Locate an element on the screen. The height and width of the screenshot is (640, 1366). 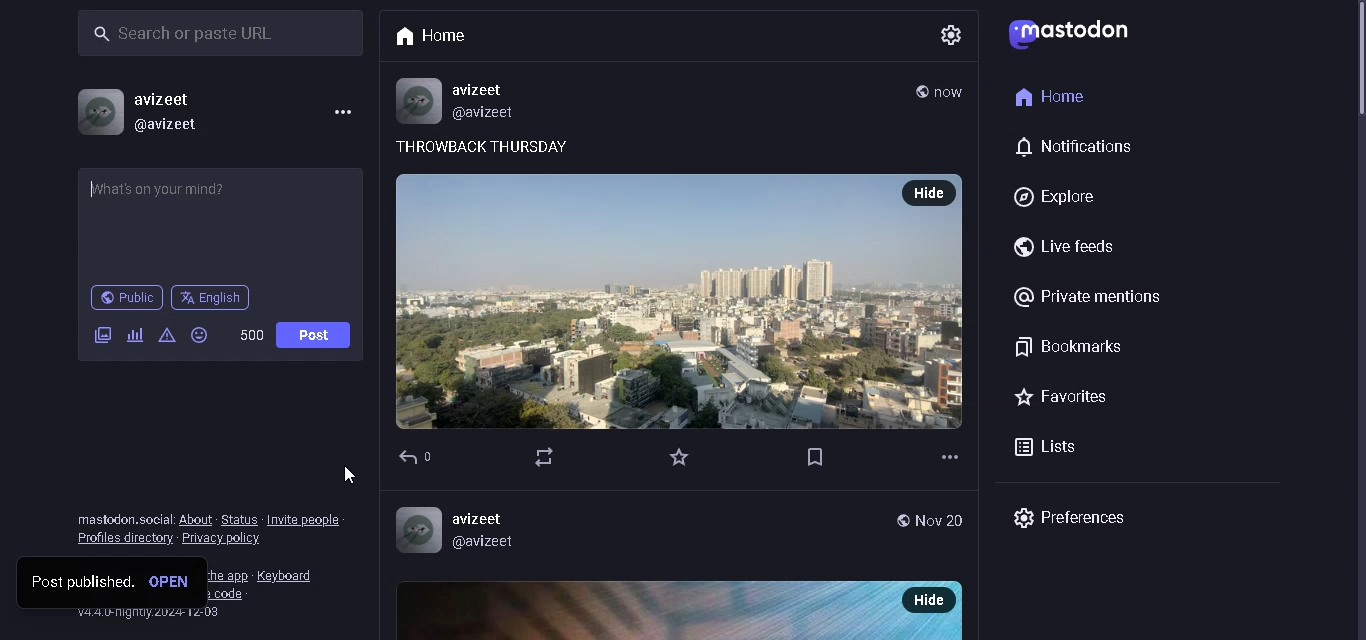
profile directory is located at coordinates (123, 539).